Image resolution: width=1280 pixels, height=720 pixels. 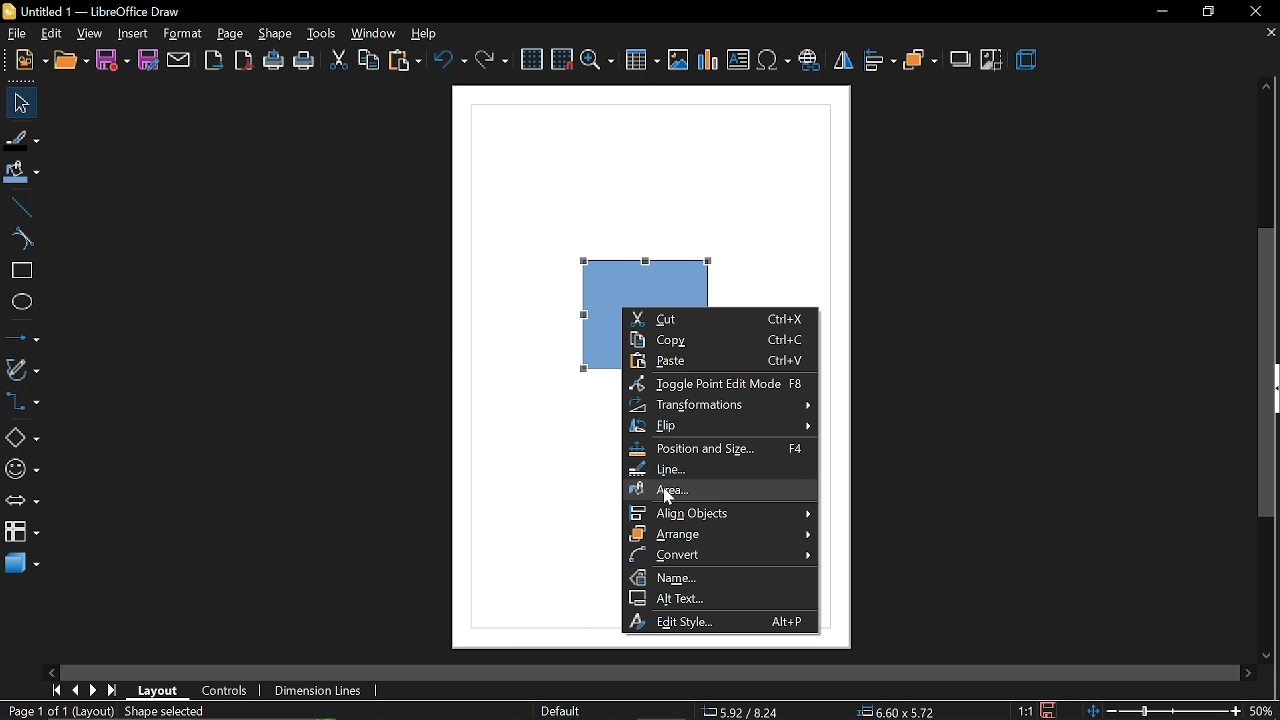 What do you see at coordinates (992, 59) in the screenshot?
I see `crop` at bounding box center [992, 59].